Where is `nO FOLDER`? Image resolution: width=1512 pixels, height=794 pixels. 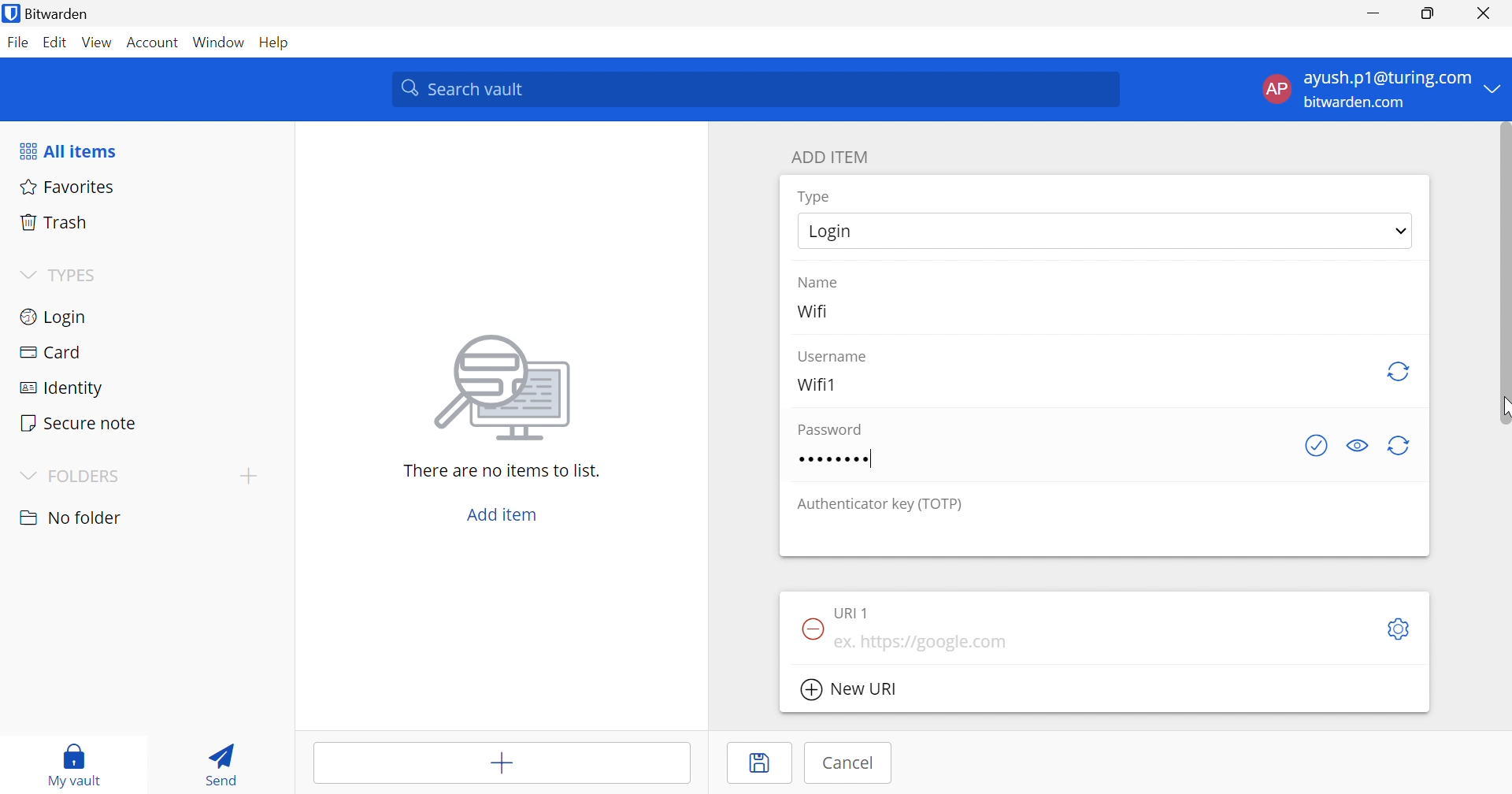 nO FOLDER is located at coordinates (70, 518).